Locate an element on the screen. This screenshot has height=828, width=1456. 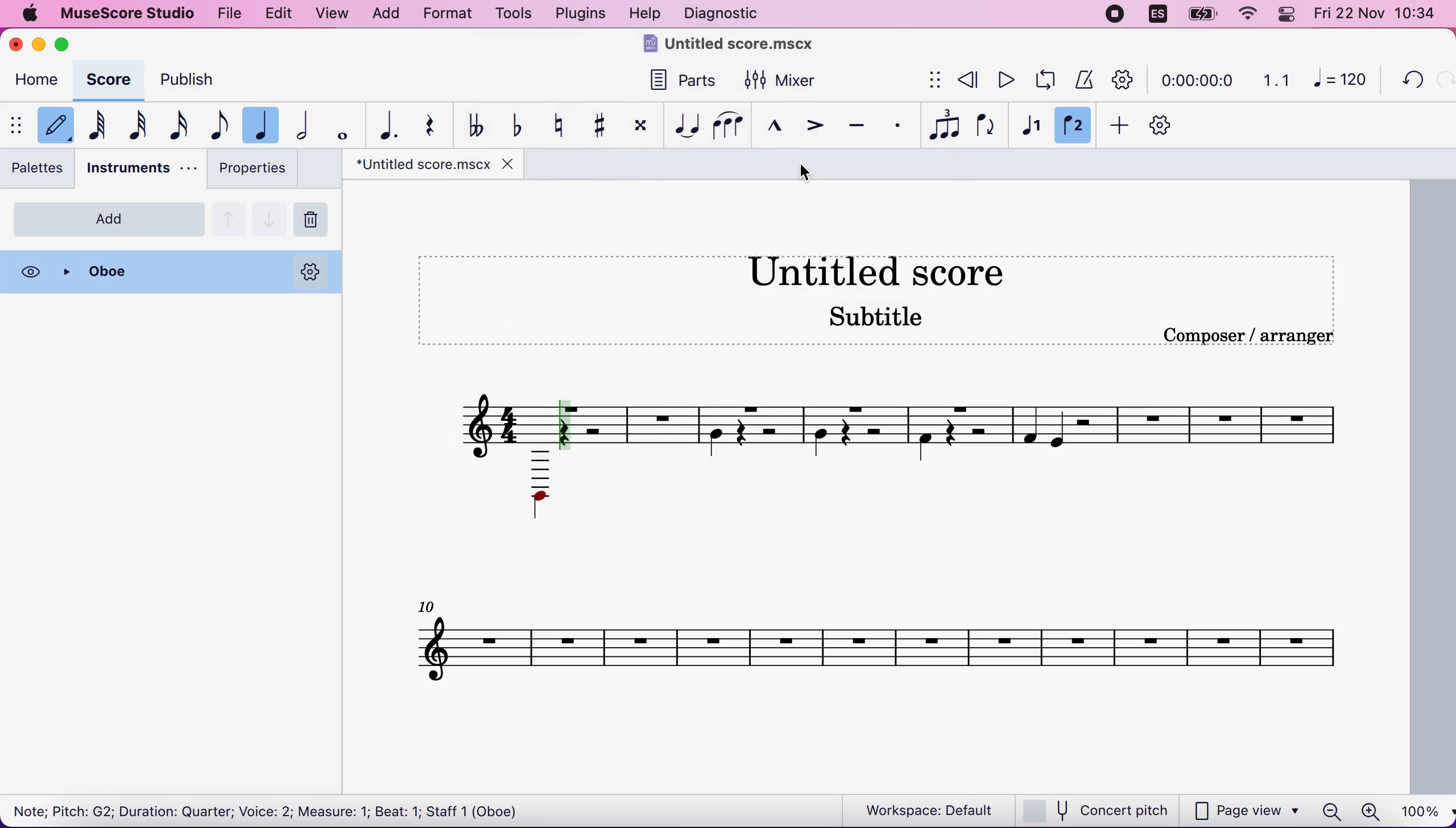
Note; Pitch: G2; Duration: Quarter; Voice: 2; Measure: 1; Beat: 1; Staff 1 (Oboe) is located at coordinates (275, 810).